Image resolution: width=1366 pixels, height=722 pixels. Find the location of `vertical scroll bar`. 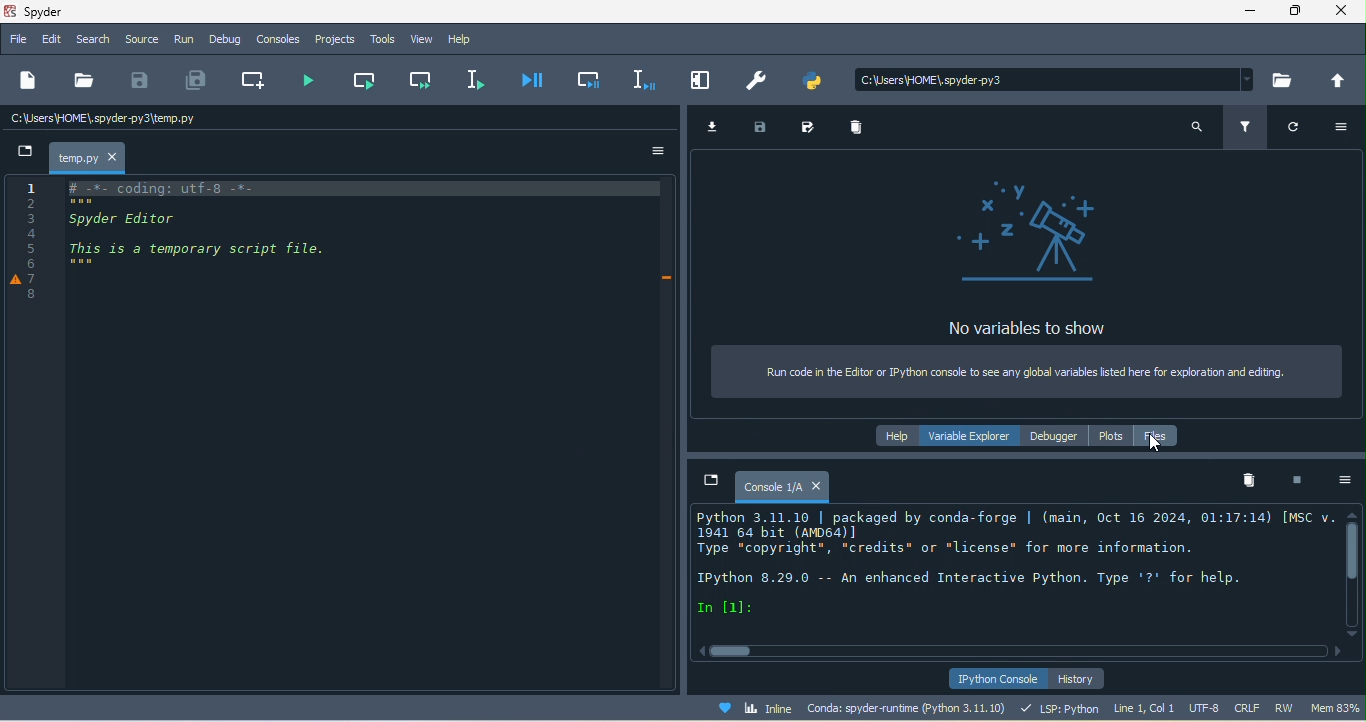

vertical scroll bar is located at coordinates (1354, 574).